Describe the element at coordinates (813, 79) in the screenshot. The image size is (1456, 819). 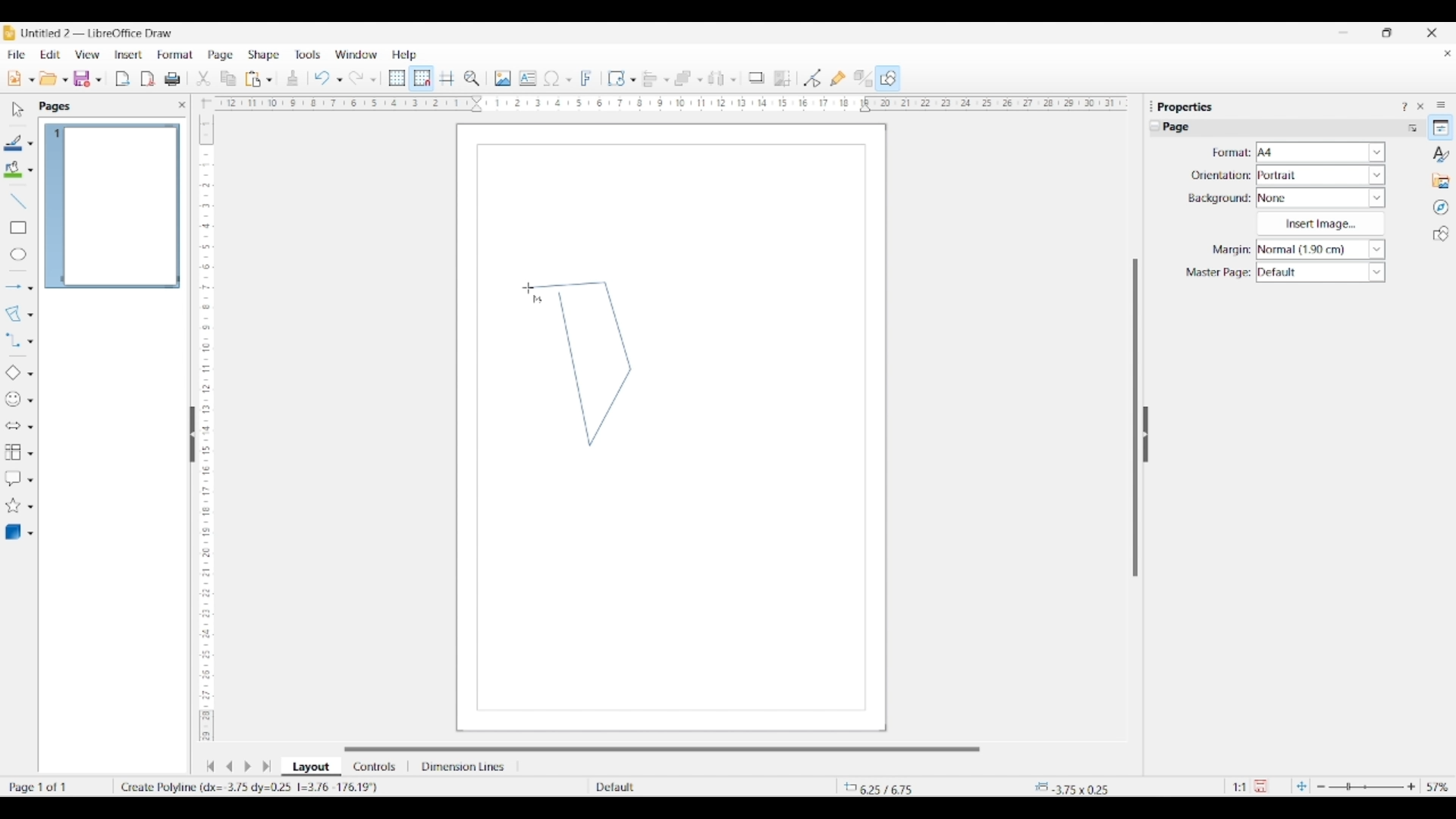
I see `Toggle point edit mode` at that location.